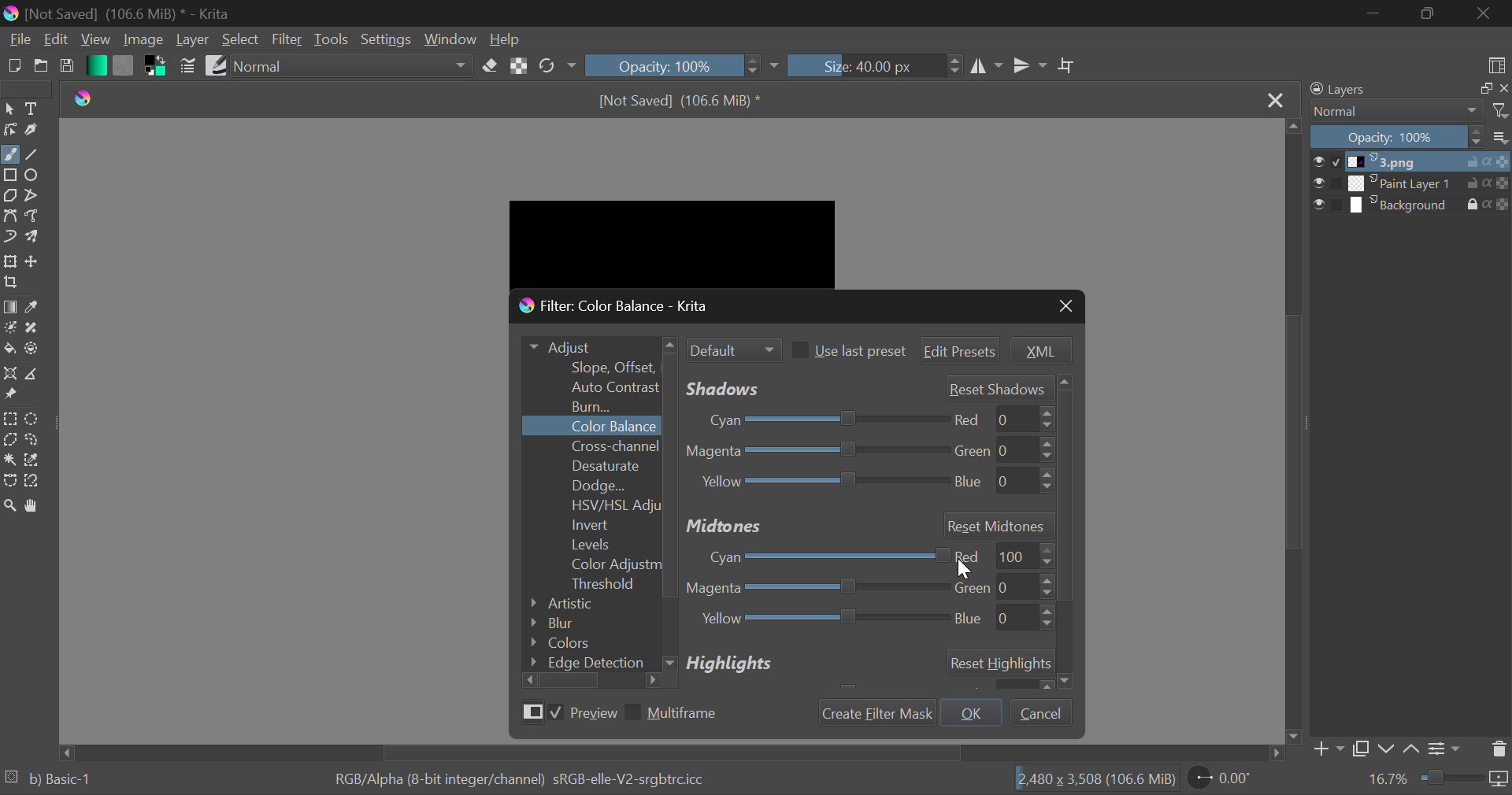 This screenshot has height=795, width=1512. Describe the element at coordinates (1395, 137) in the screenshot. I see `Opacity 100%` at that location.